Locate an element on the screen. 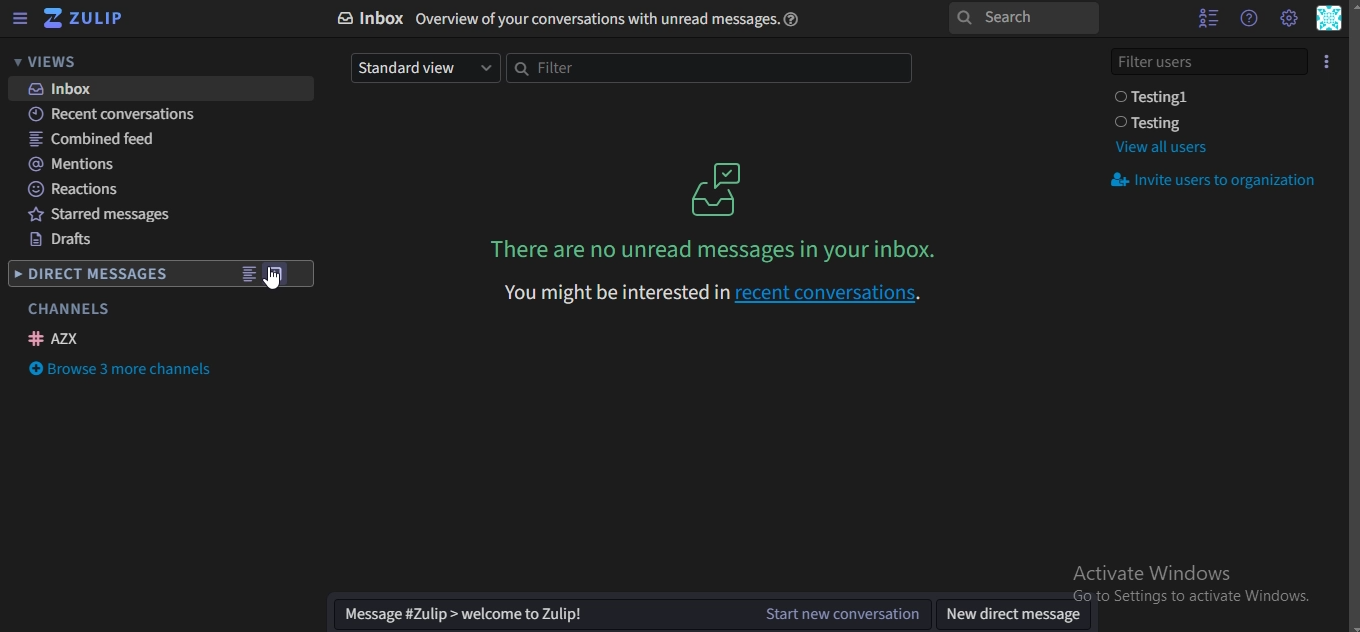 The width and height of the screenshot is (1360, 632). drafts is located at coordinates (63, 242).